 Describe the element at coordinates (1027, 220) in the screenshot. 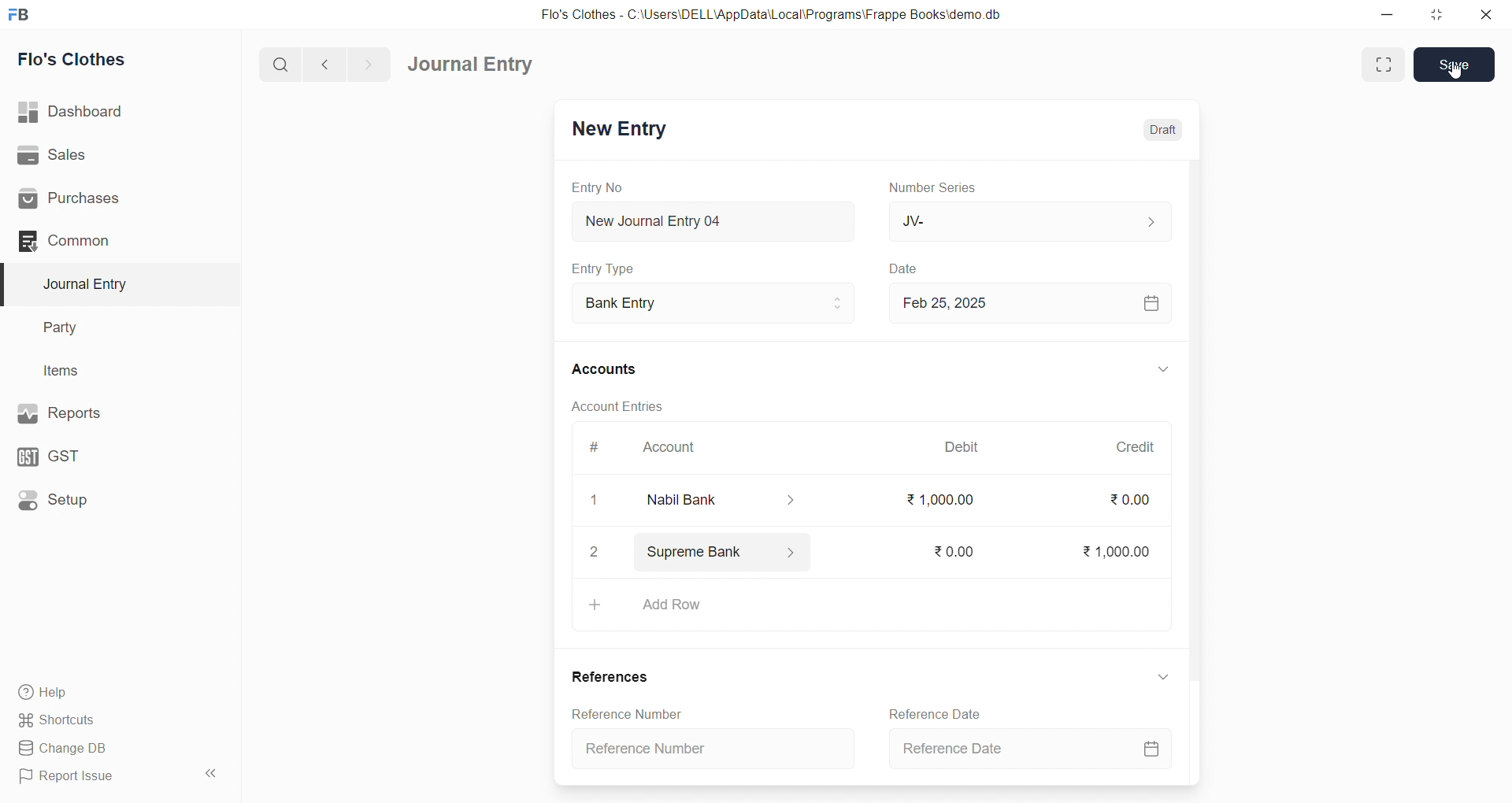

I see `JV-` at that location.